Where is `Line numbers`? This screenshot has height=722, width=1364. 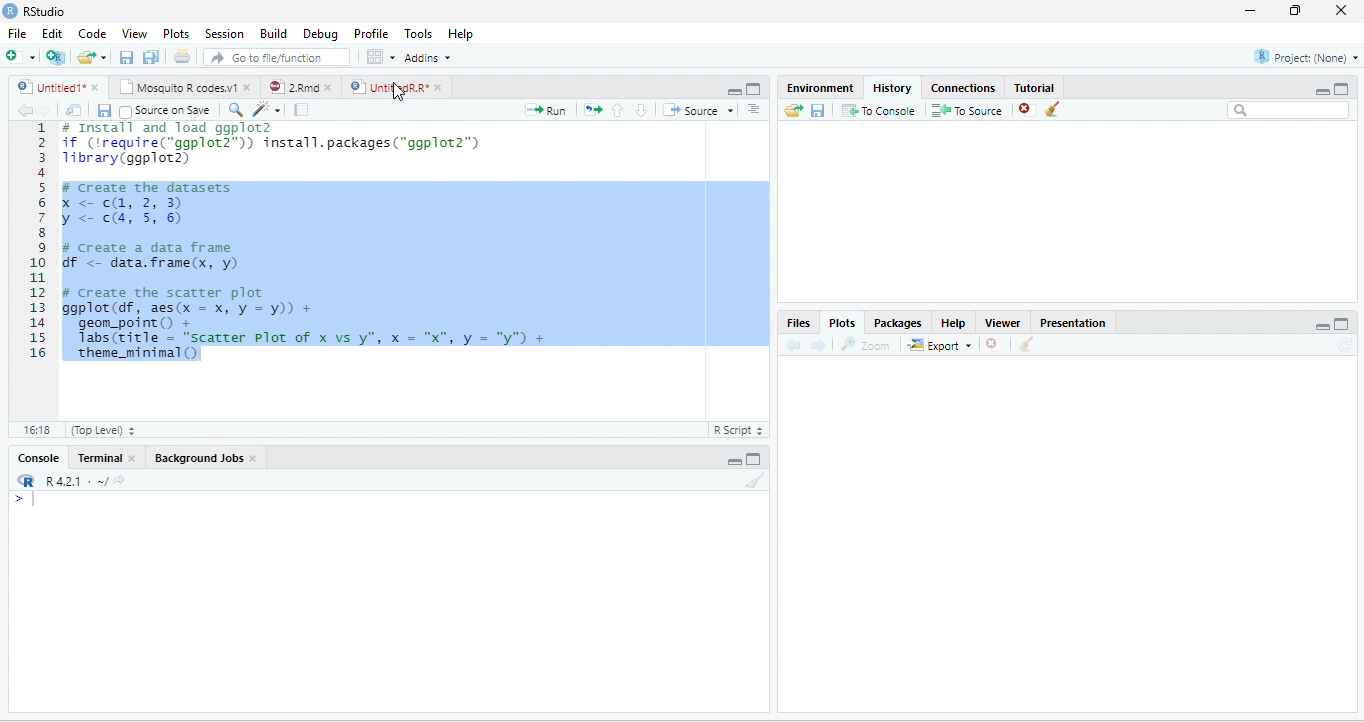
Line numbers is located at coordinates (36, 243).